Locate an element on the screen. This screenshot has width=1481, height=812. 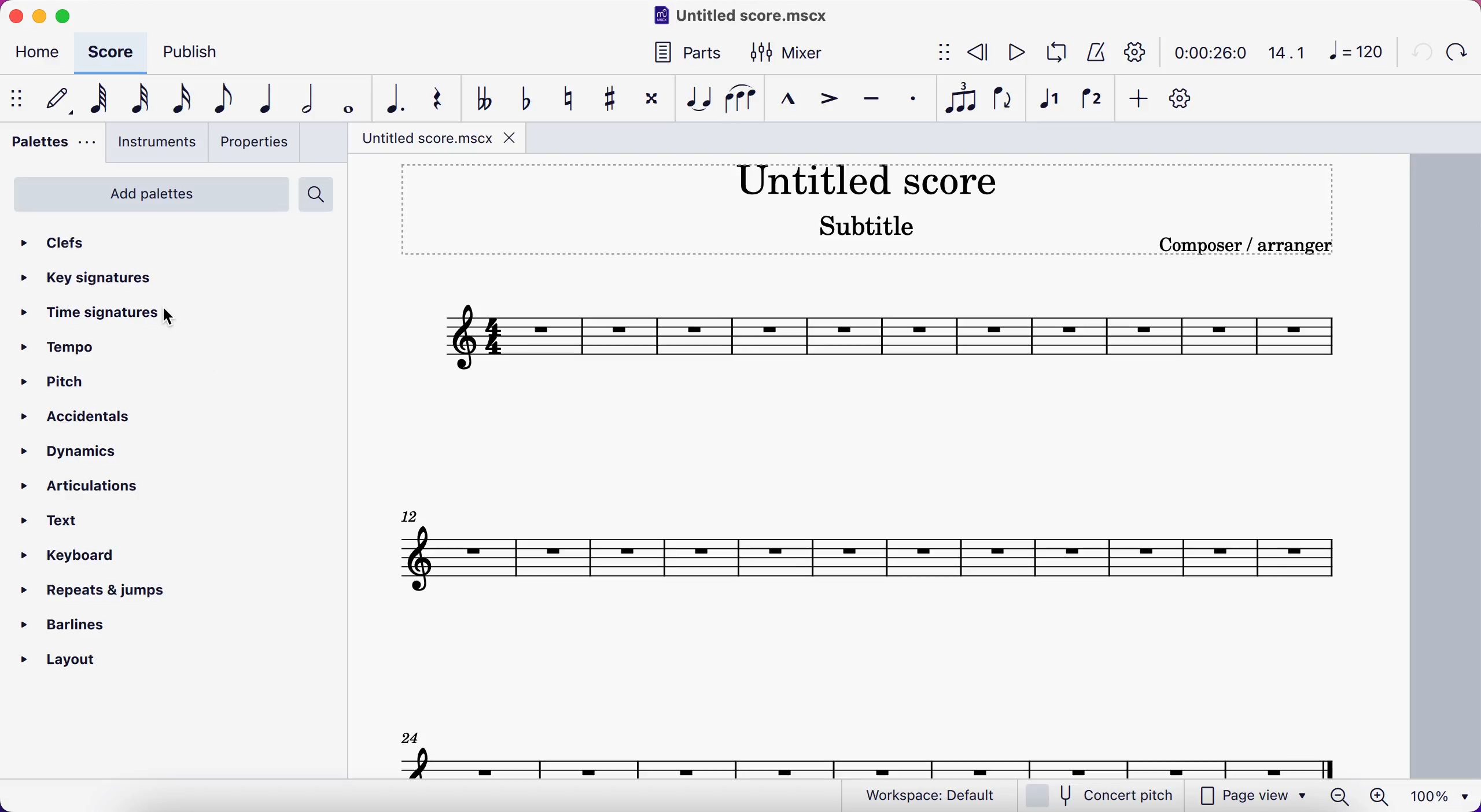
redo is located at coordinates (1459, 51).